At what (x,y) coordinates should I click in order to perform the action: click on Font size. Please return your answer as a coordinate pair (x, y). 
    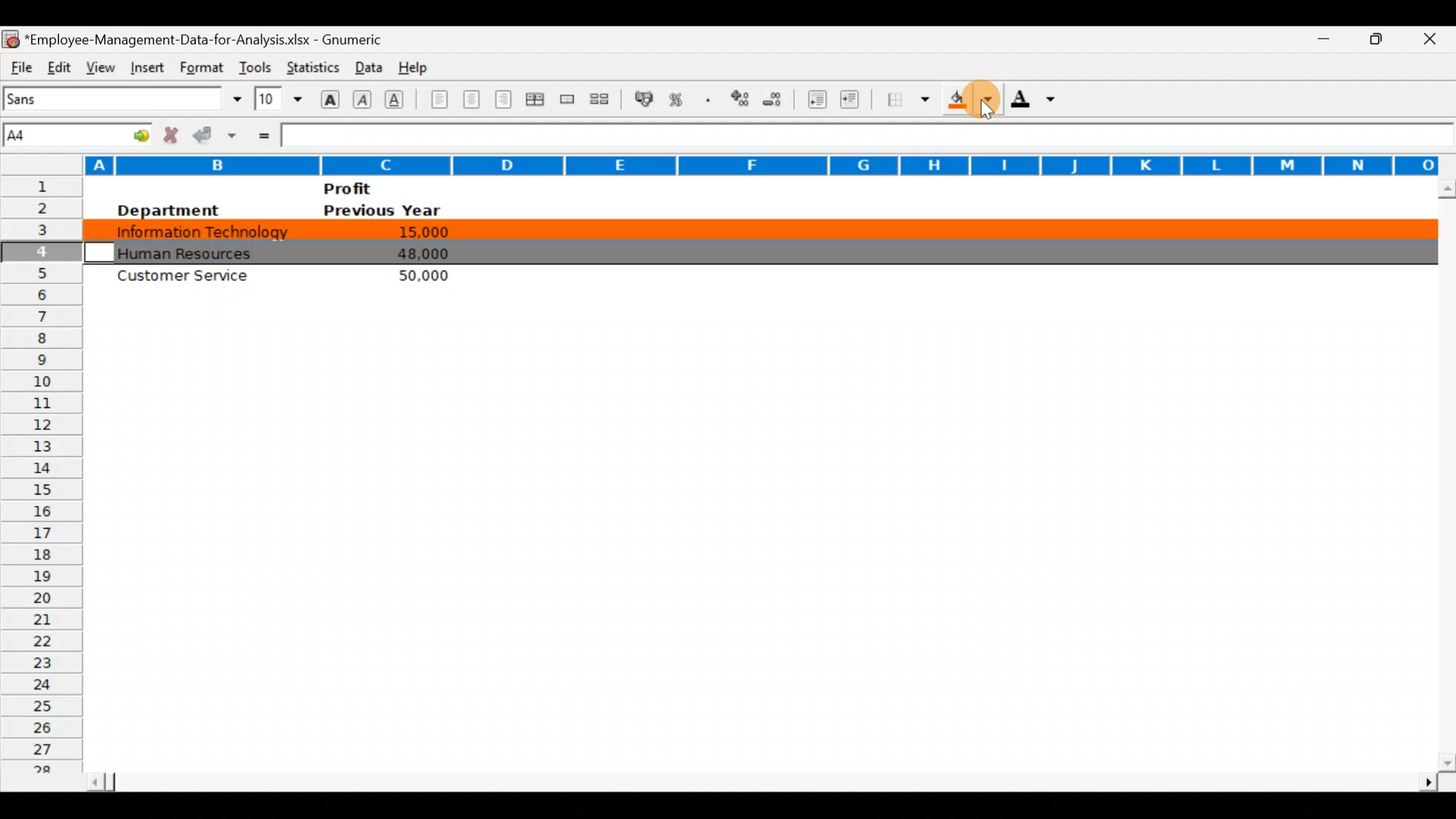
    Looking at the image, I should click on (278, 99).